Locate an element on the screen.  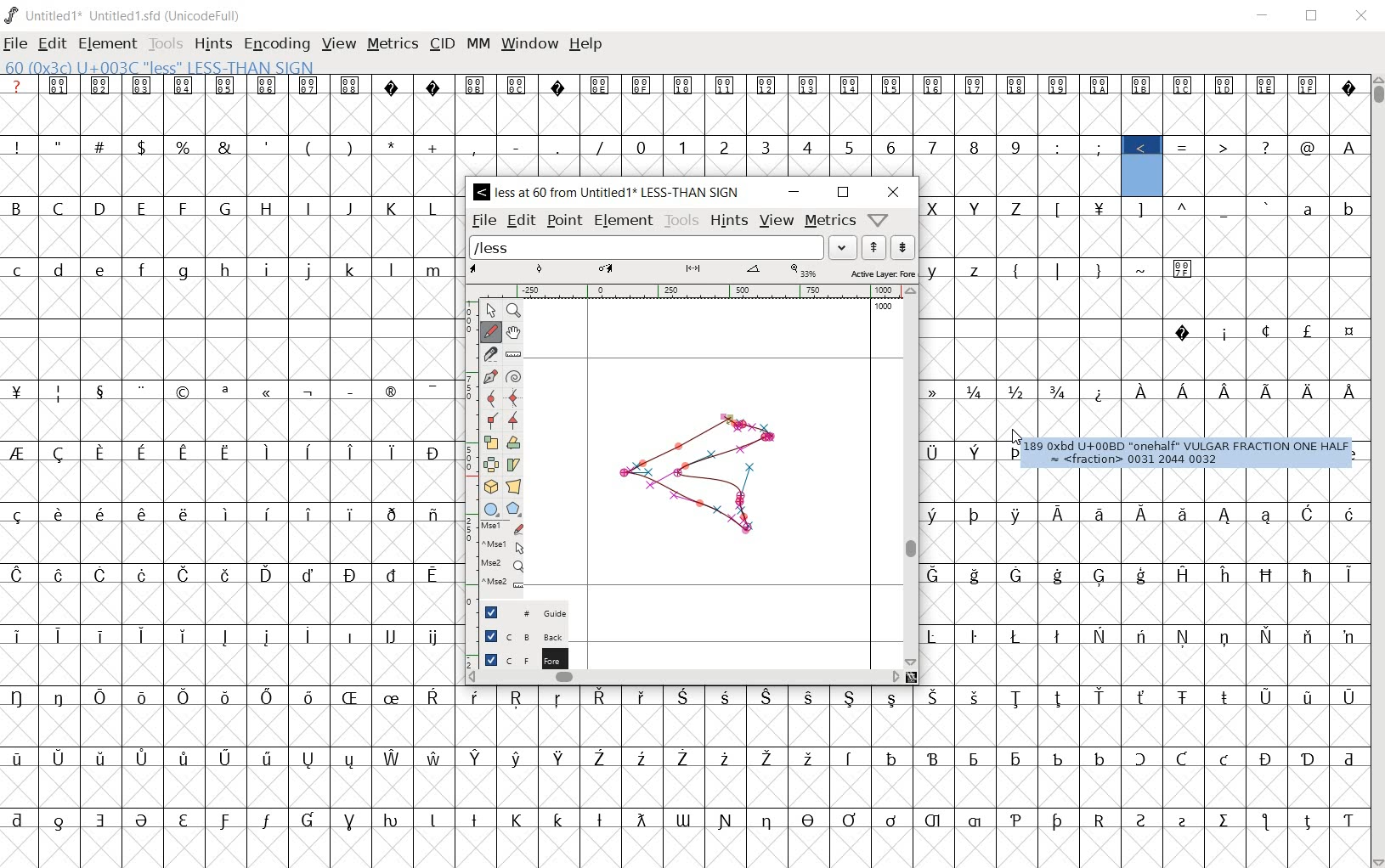
ruler is located at coordinates (691, 293).